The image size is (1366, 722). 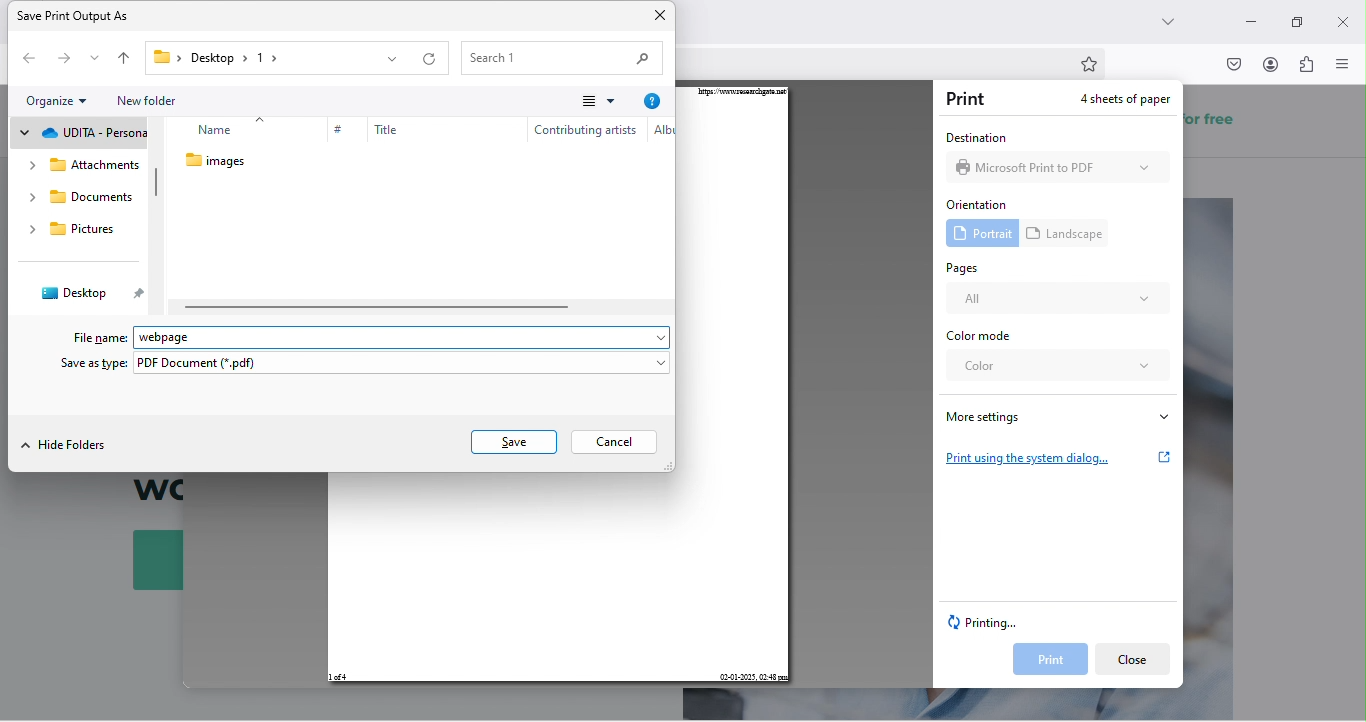 I want to click on account, so click(x=1271, y=64).